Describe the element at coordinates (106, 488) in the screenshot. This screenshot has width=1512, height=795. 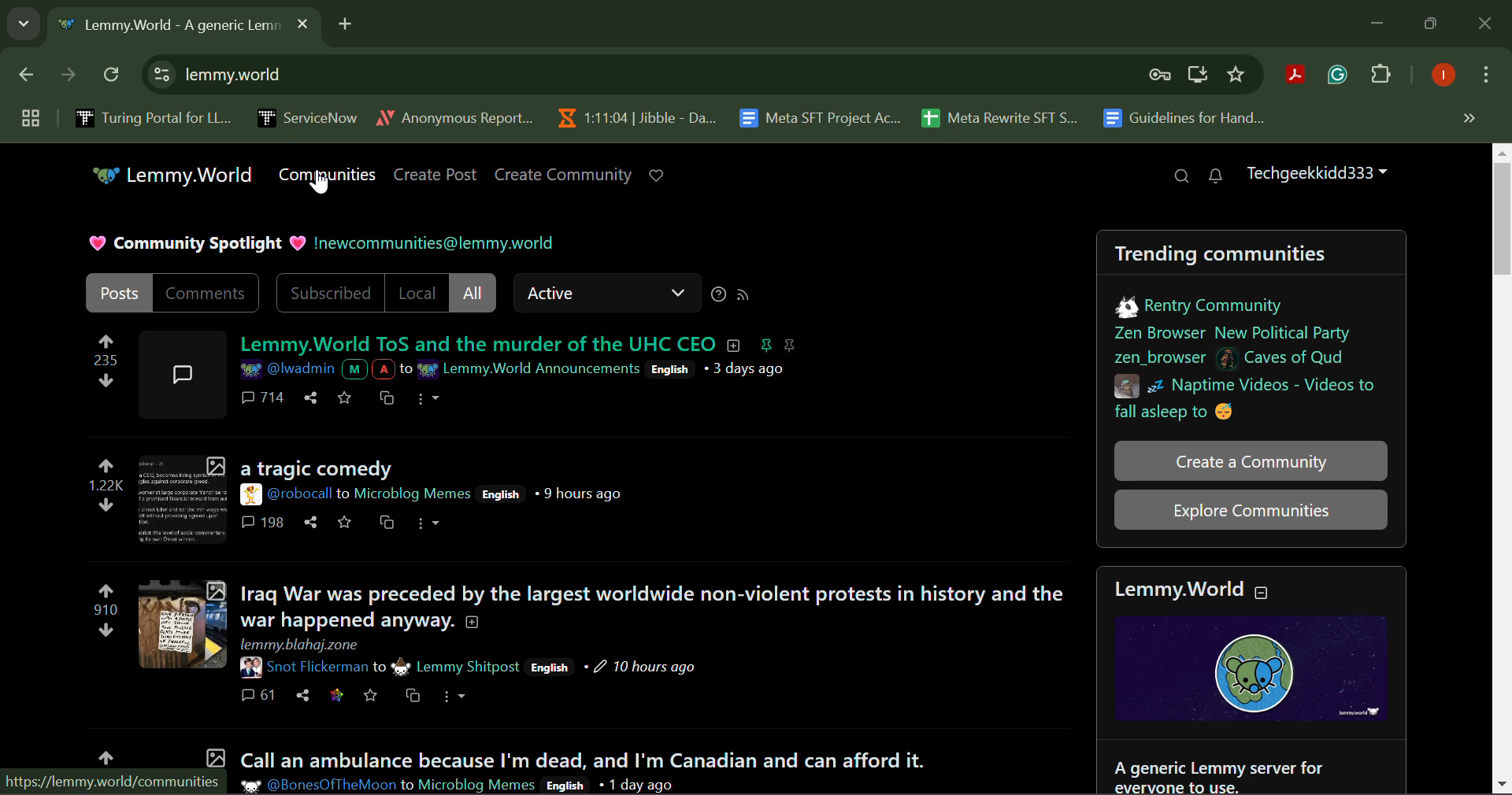
I see `Post Vote Counter` at that location.